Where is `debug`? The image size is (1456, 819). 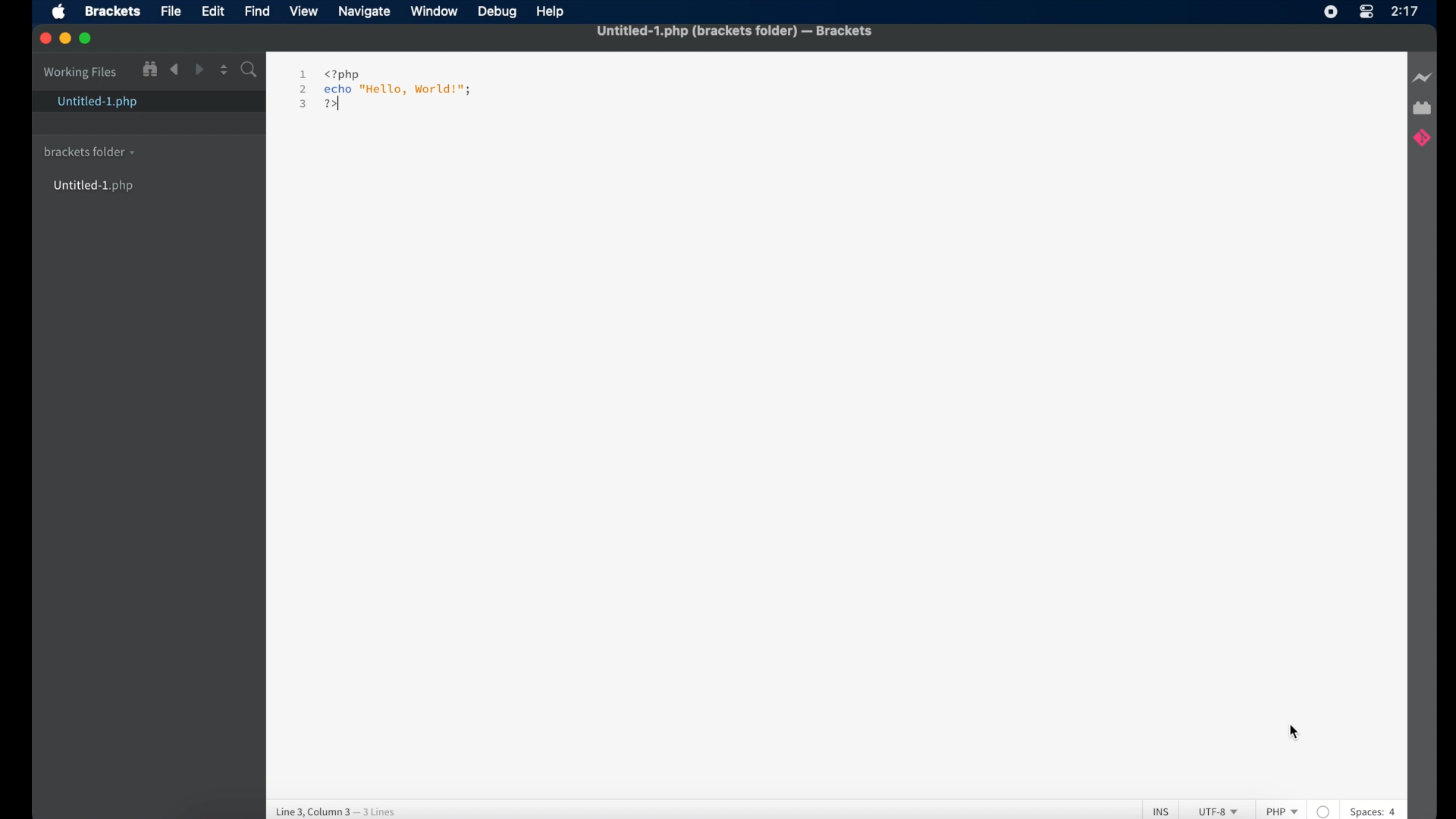
debug is located at coordinates (497, 13).